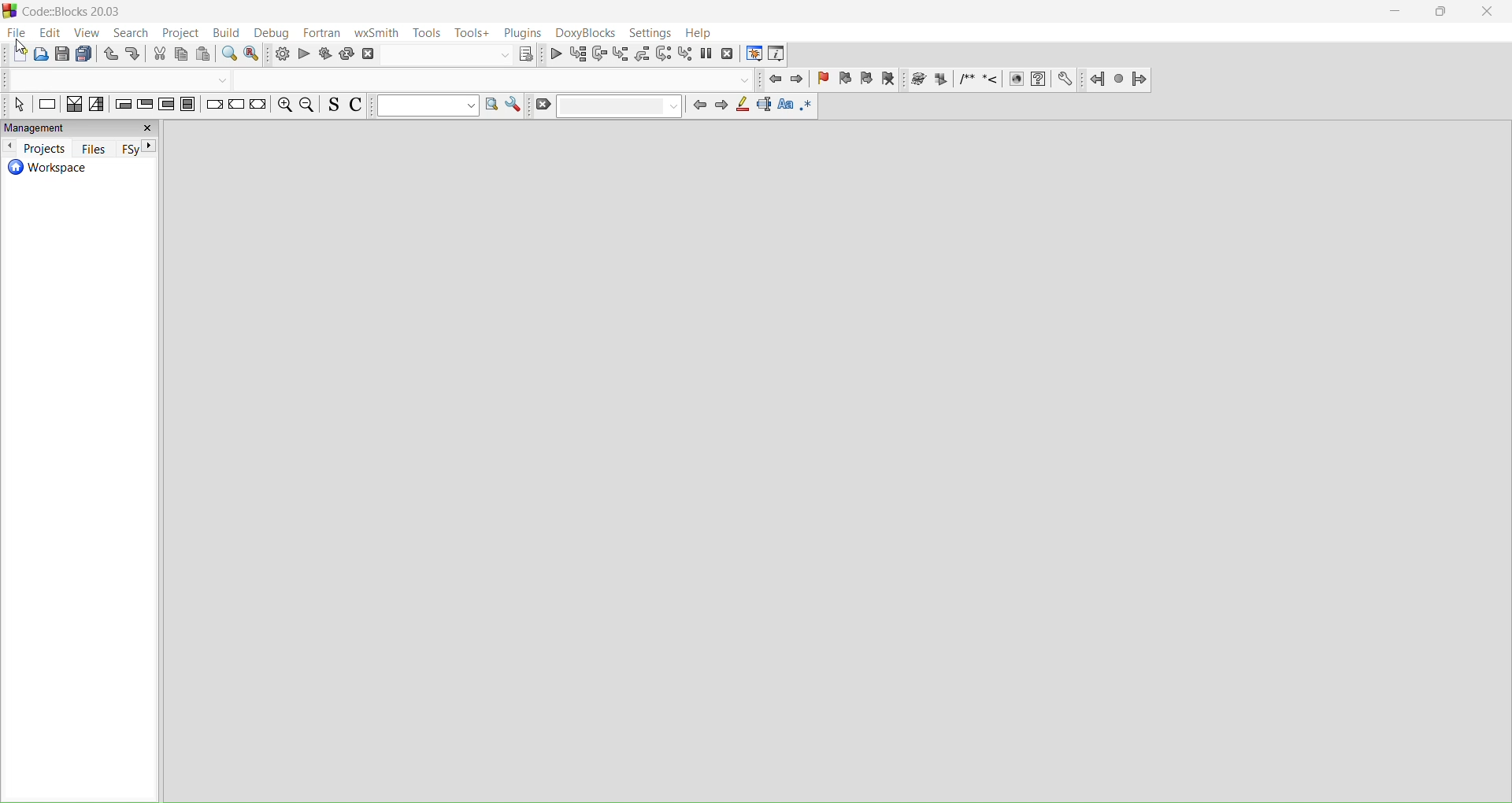  Describe the element at coordinates (44, 148) in the screenshot. I see `projects` at that location.